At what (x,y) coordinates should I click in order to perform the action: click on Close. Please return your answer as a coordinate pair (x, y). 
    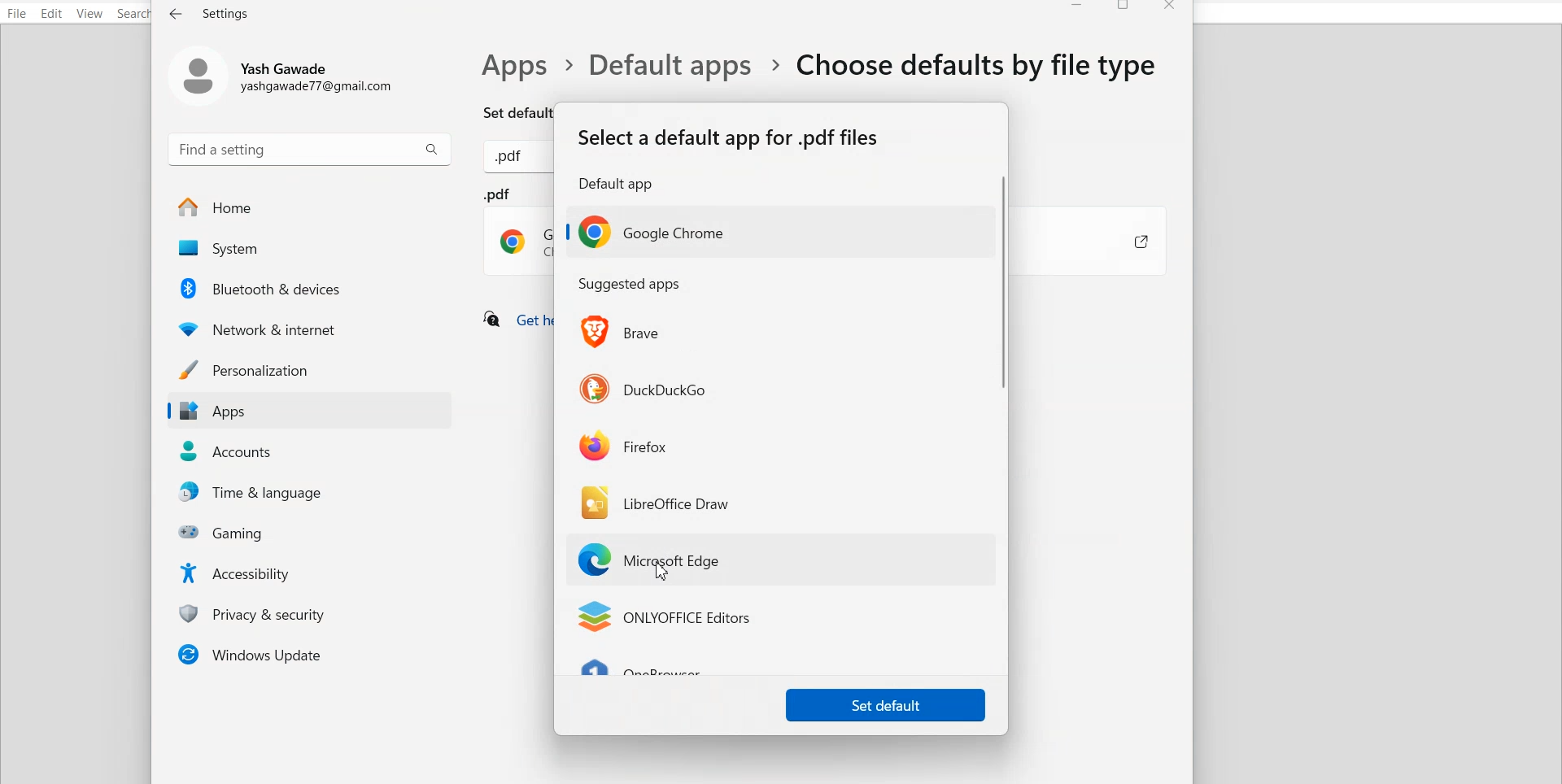
    Looking at the image, I should click on (1169, 8).